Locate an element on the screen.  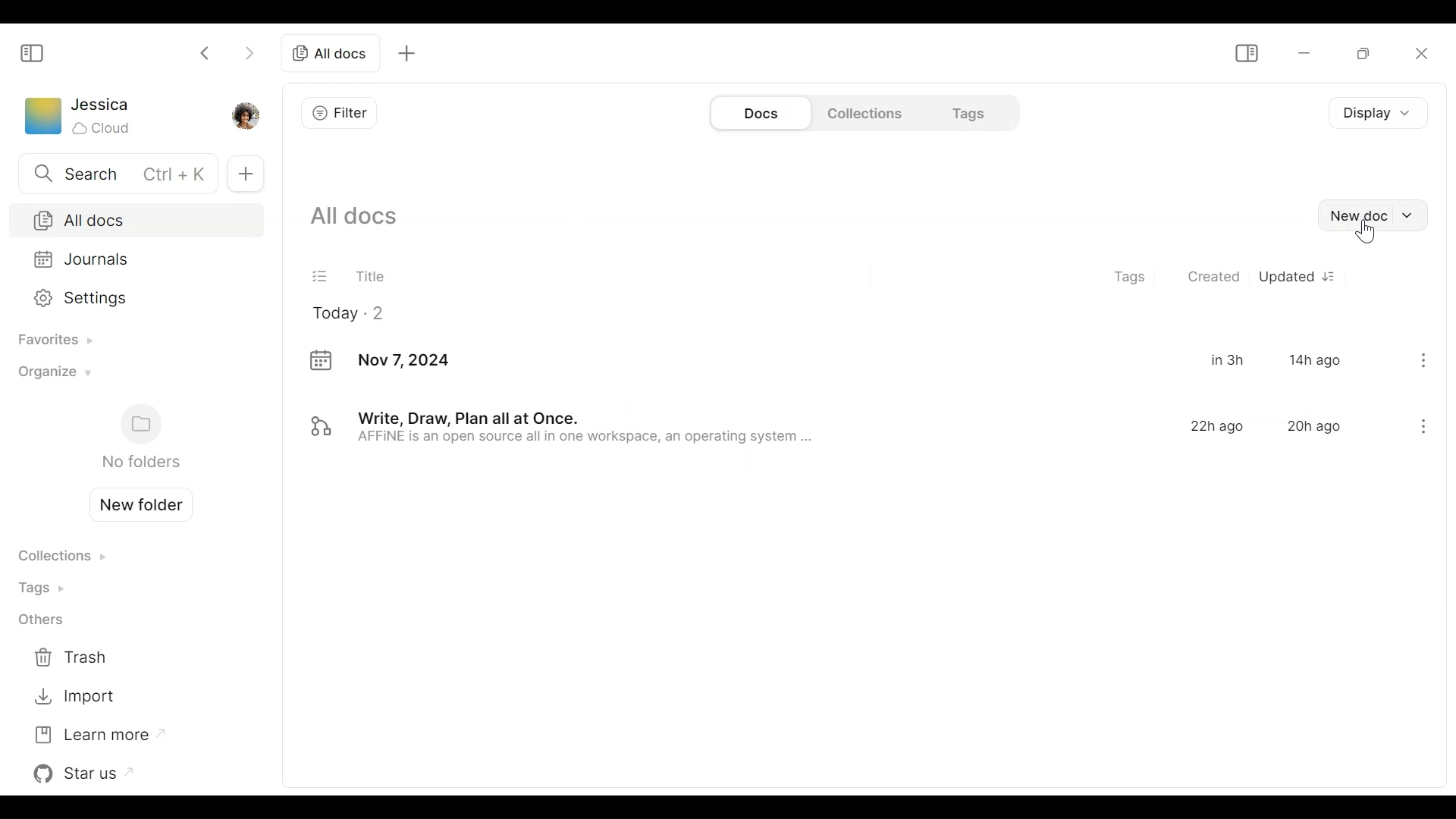
Title is located at coordinates (372, 277).